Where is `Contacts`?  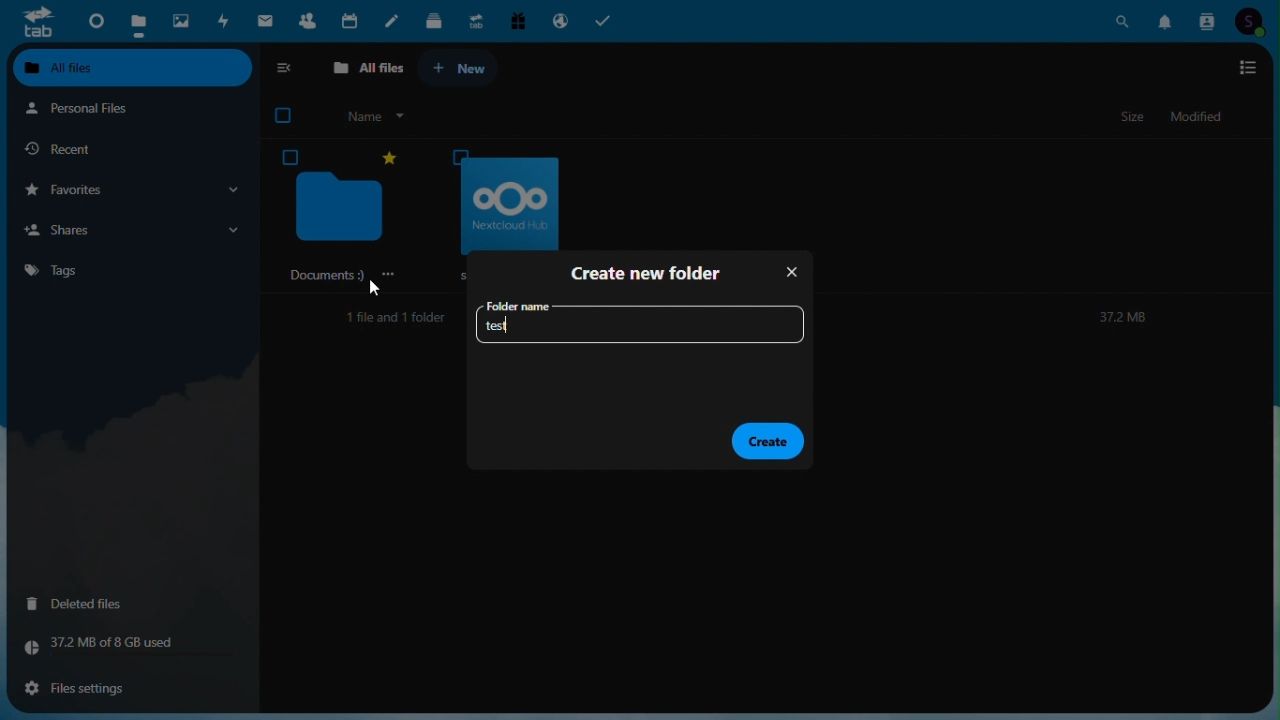
Contacts is located at coordinates (1208, 19).